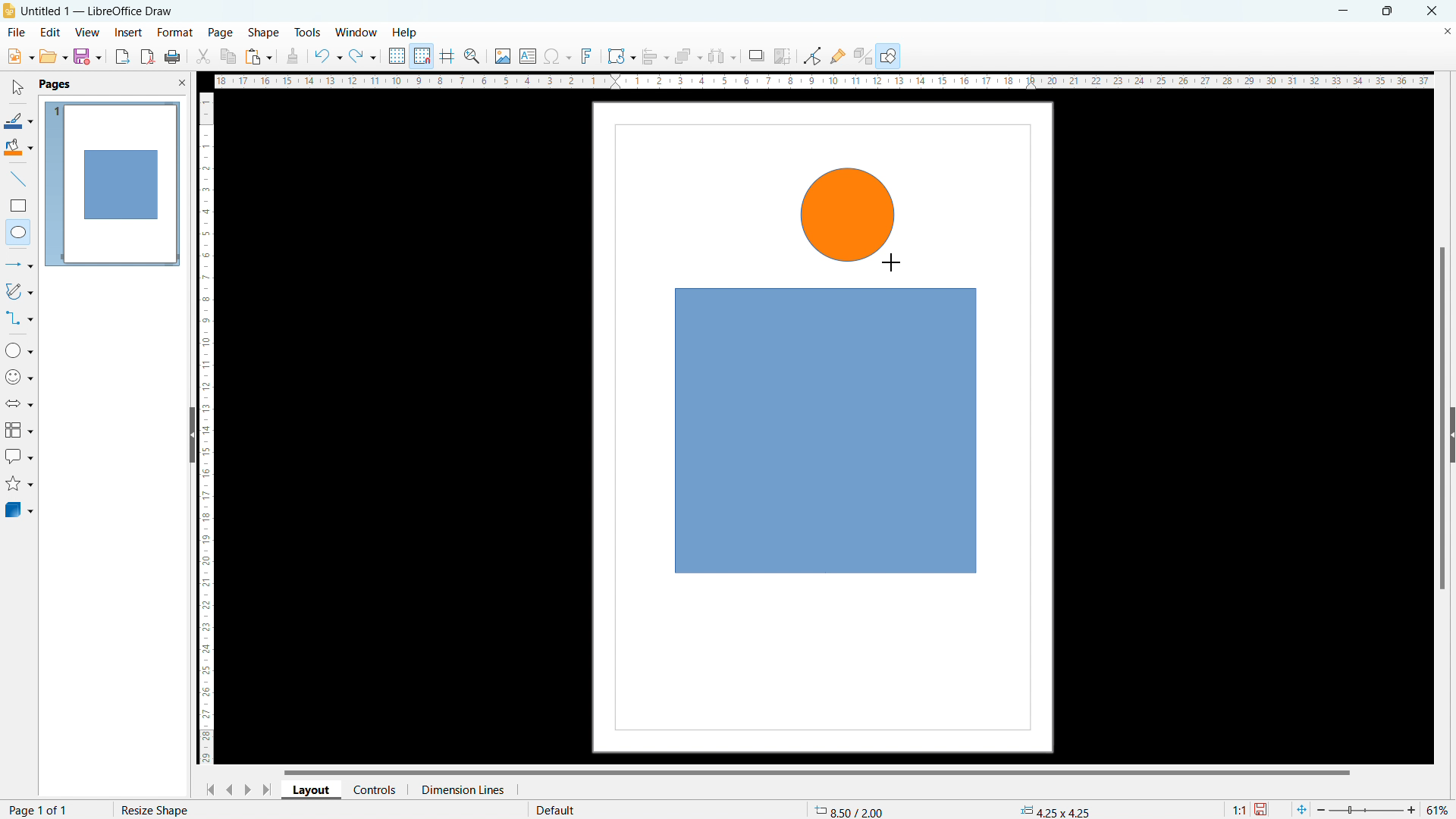 This screenshot has width=1456, height=819. Describe the element at coordinates (87, 33) in the screenshot. I see `view` at that location.